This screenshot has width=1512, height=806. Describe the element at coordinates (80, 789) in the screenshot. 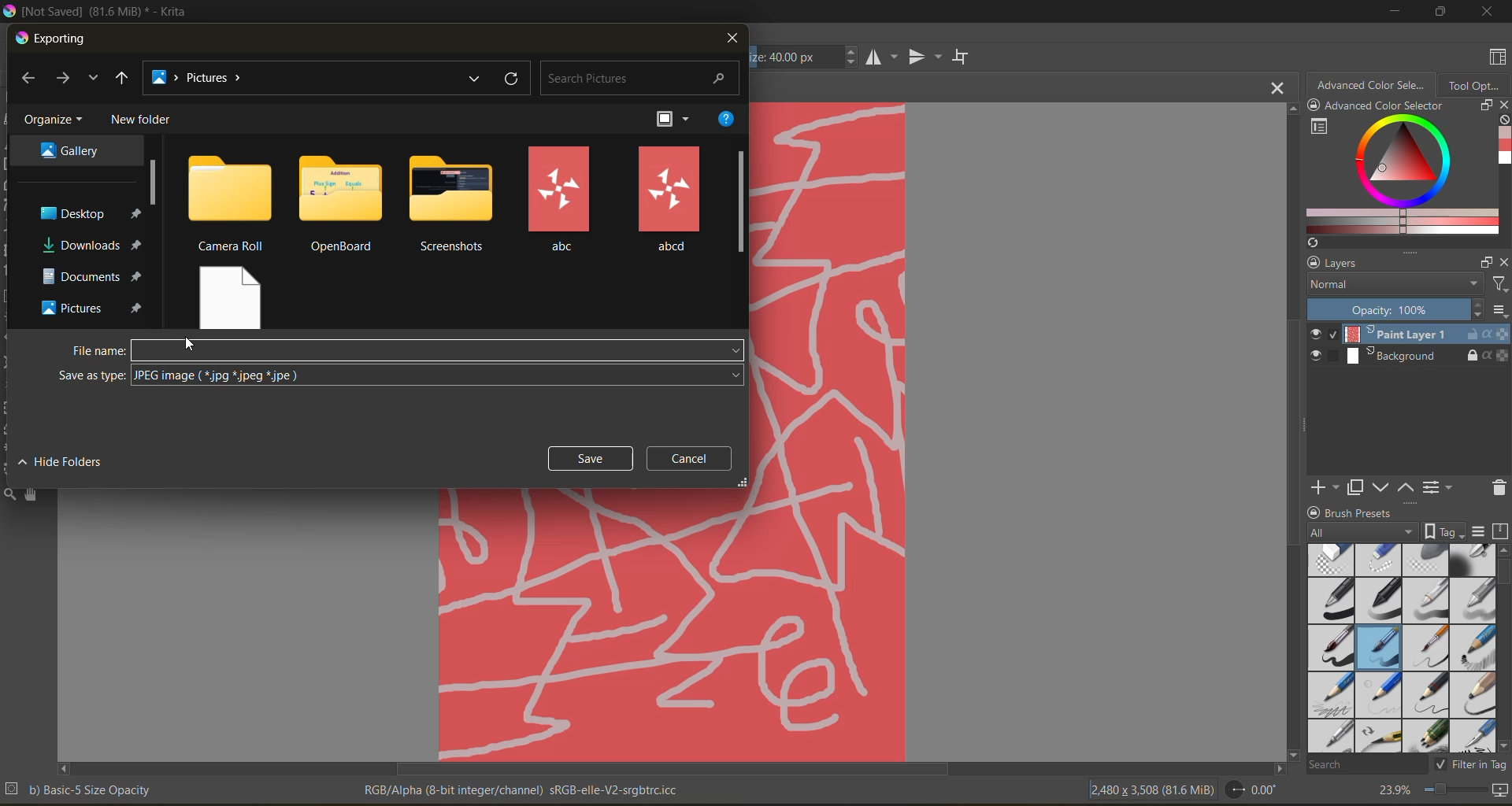

I see `metadata` at that location.